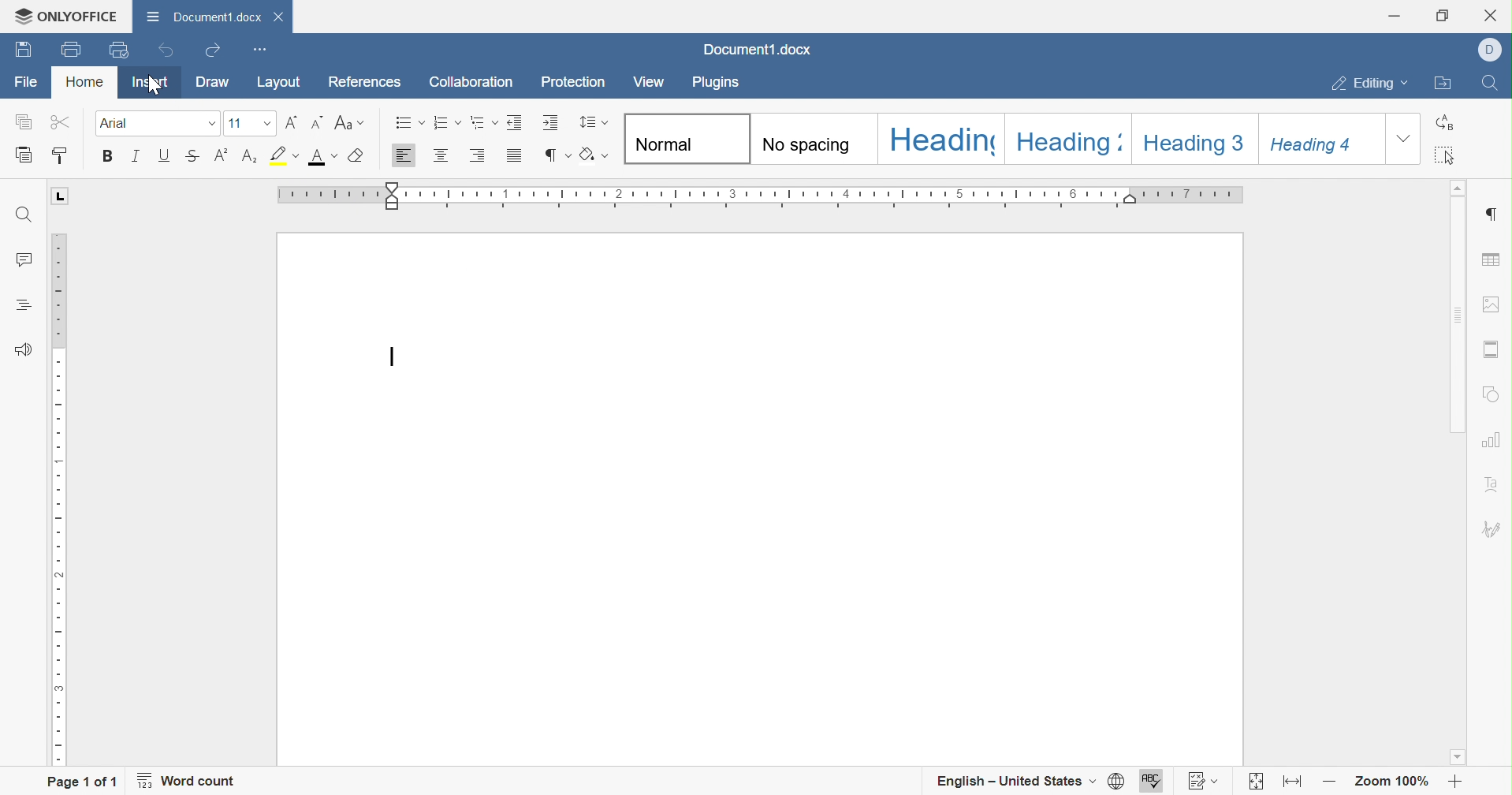 The width and height of the screenshot is (1512, 795). I want to click on Cut, so click(62, 121).